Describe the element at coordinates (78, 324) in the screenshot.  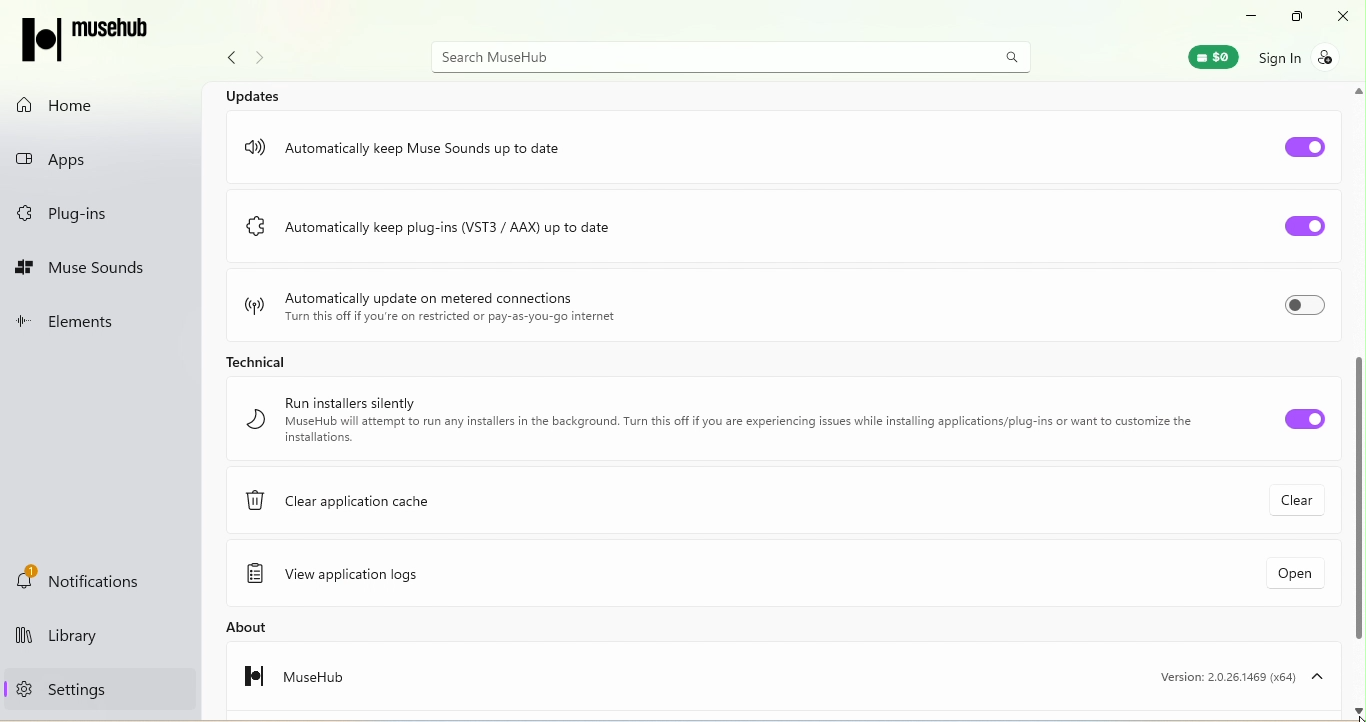
I see `Elements` at that location.